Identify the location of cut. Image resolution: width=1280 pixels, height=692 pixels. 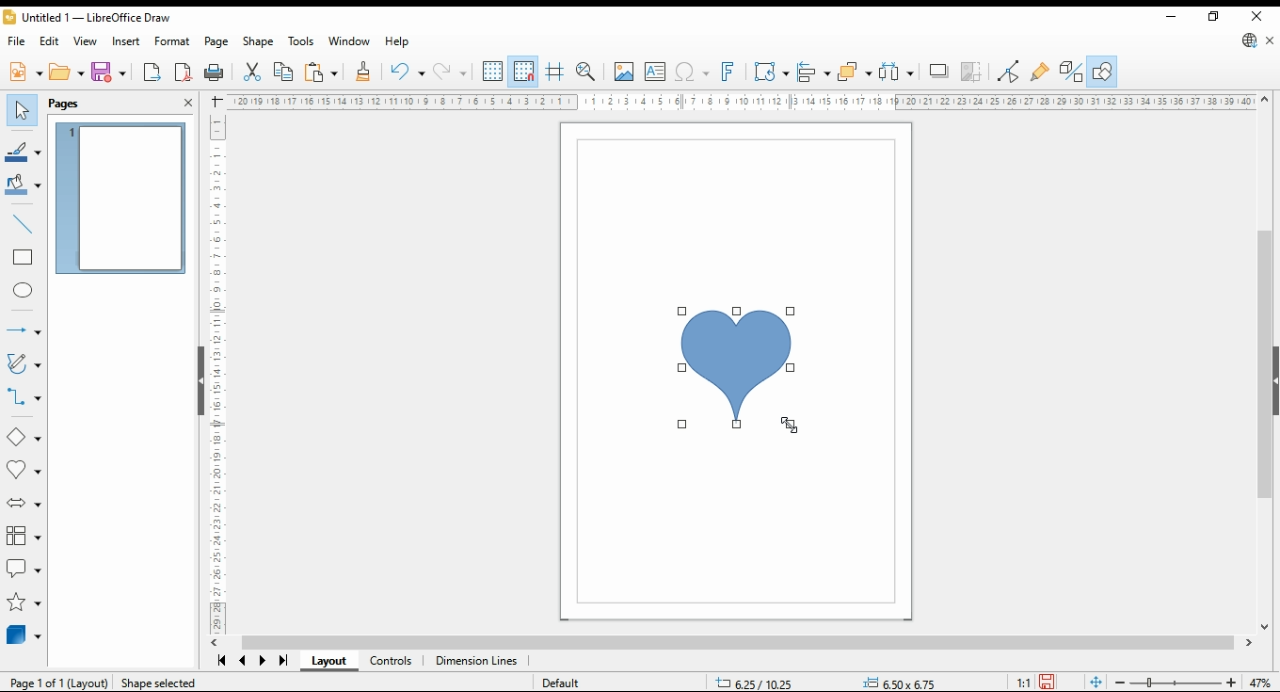
(252, 72).